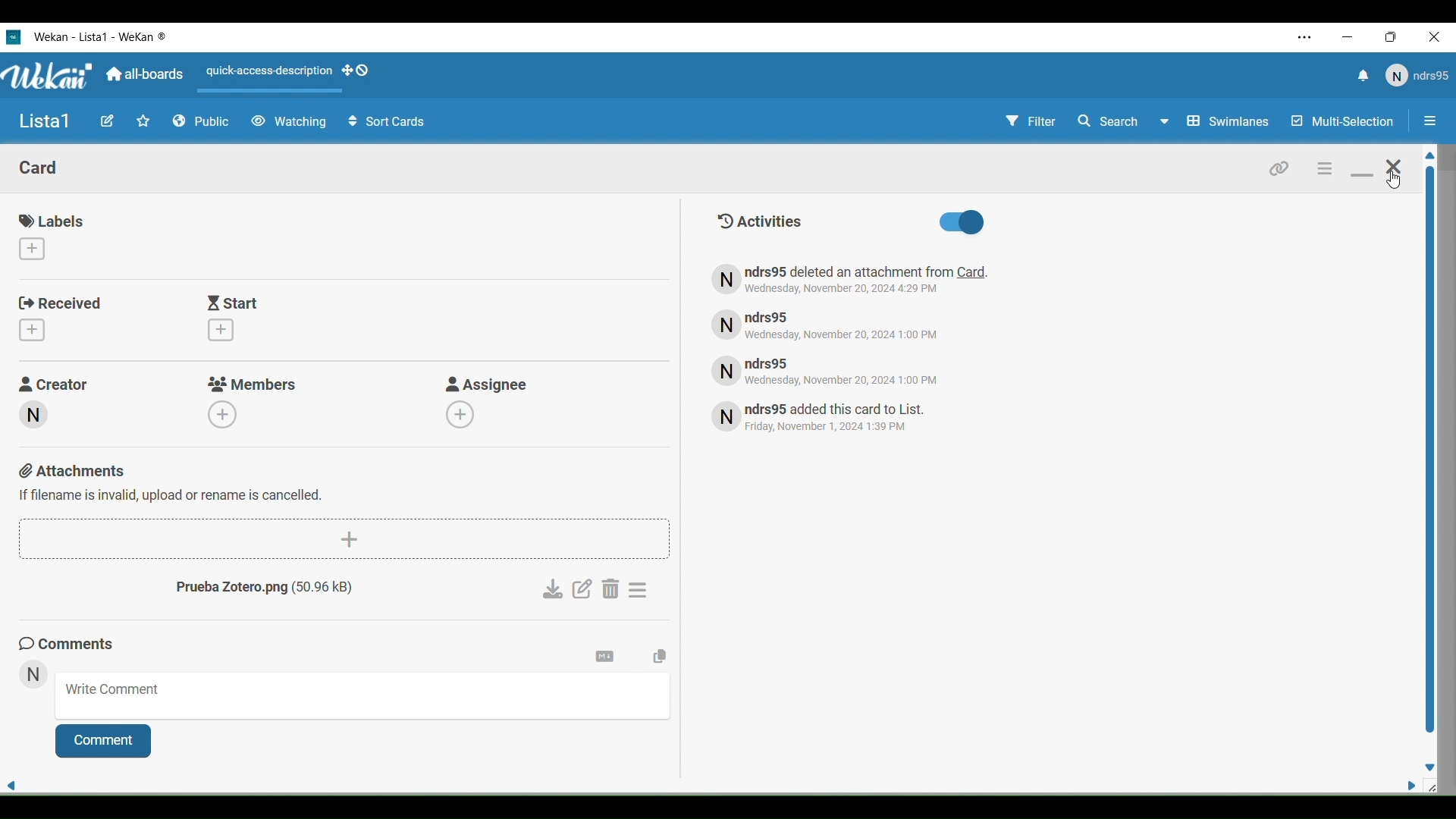  Describe the element at coordinates (293, 75) in the screenshot. I see `Actions` at that location.